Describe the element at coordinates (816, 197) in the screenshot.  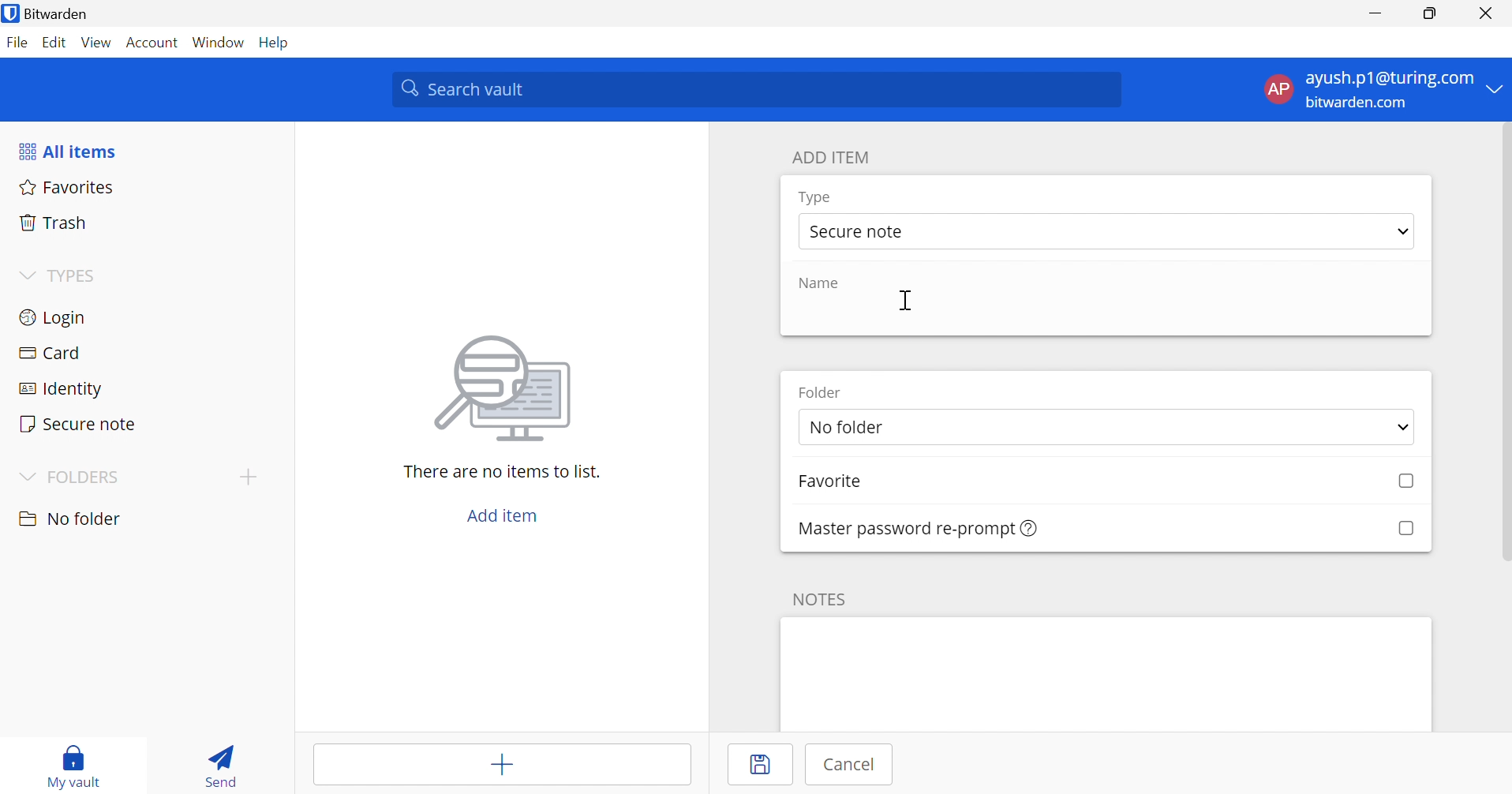
I see `Type` at that location.